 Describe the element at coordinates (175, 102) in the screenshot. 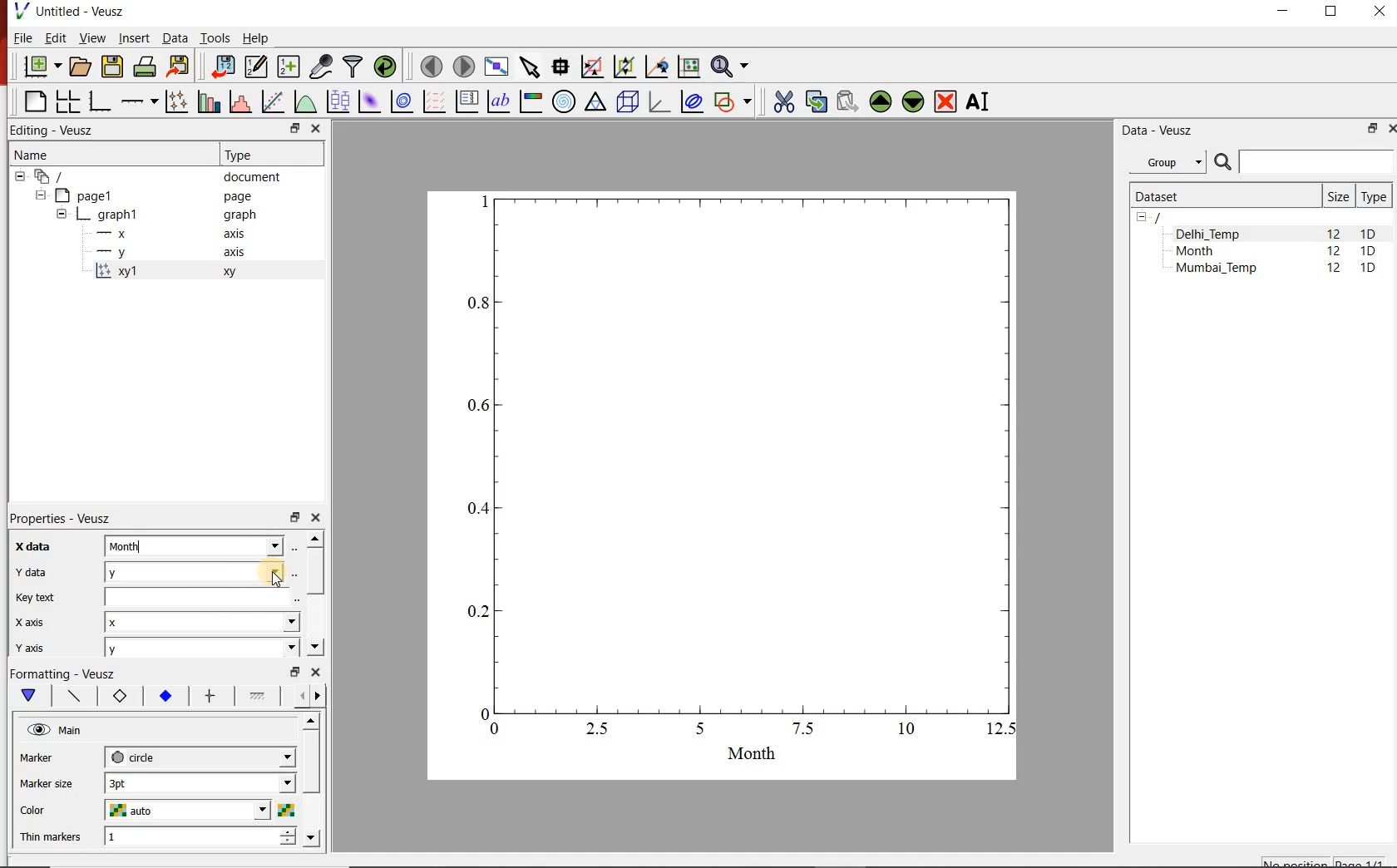

I see `plot points with lines and errorbars` at that location.